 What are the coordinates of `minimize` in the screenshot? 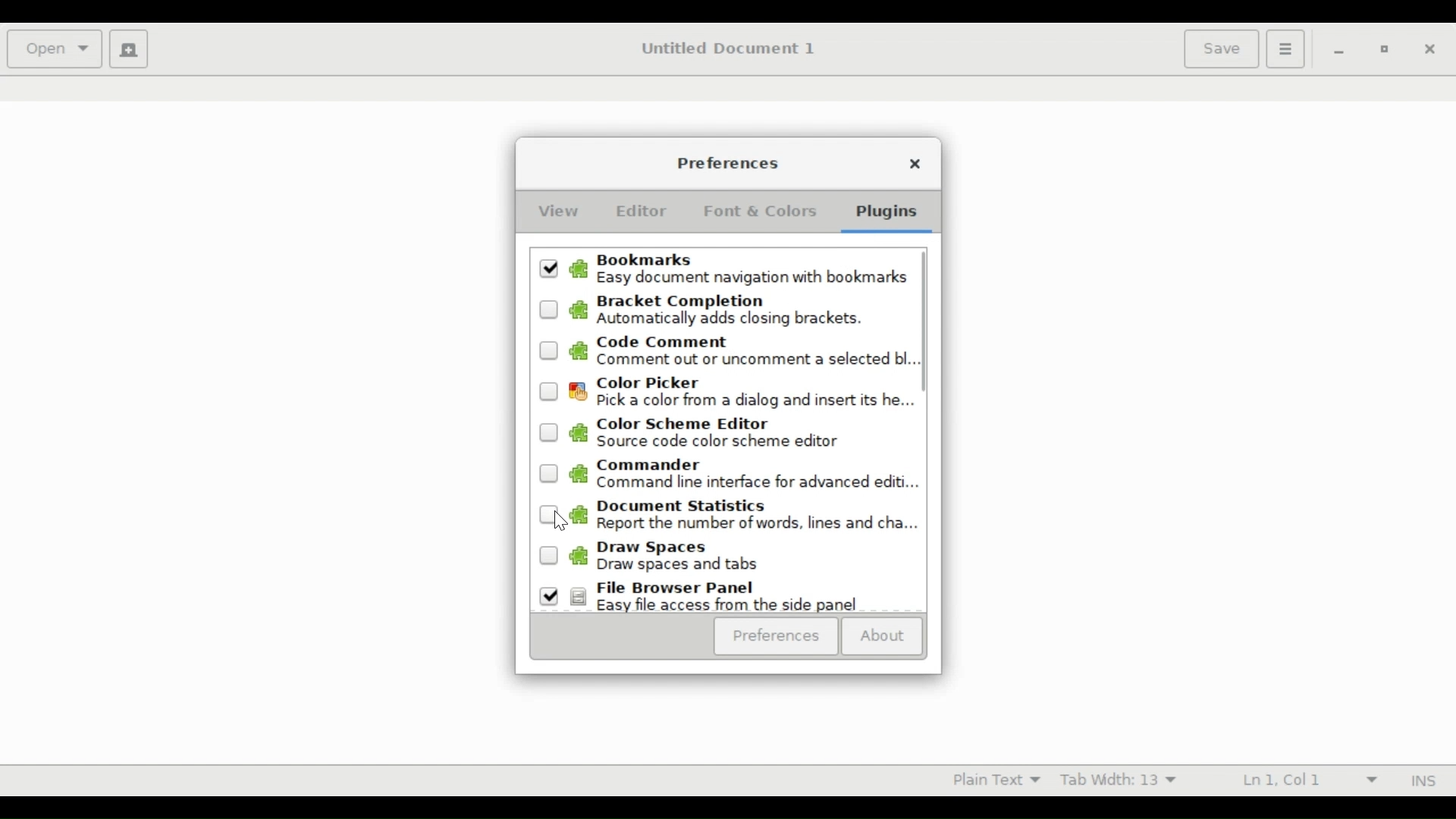 It's located at (1336, 51).